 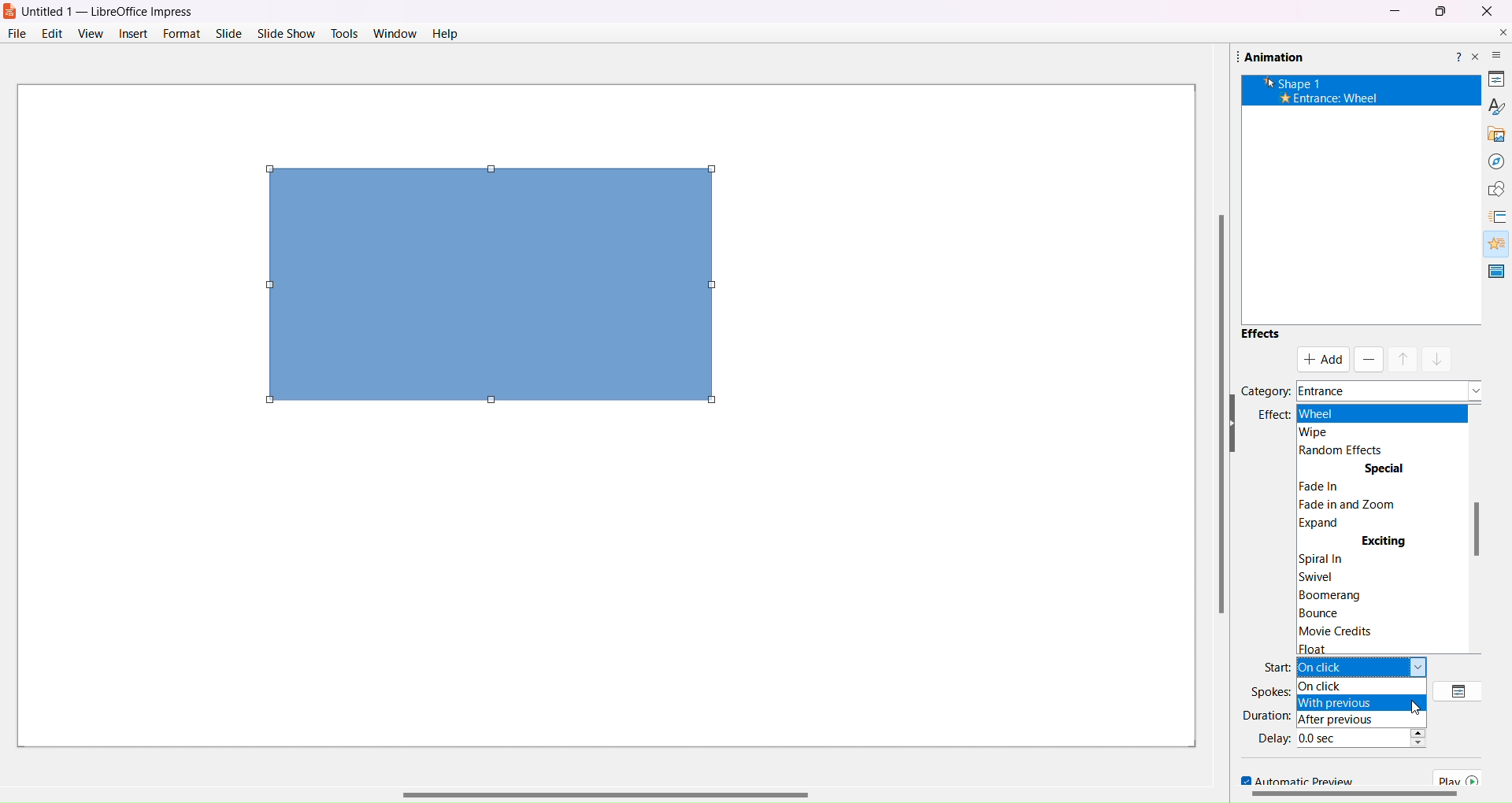 What do you see at coordinates (1482, 424) in the screenshot?
I see `Hide` at bounding box center [1482, 424].